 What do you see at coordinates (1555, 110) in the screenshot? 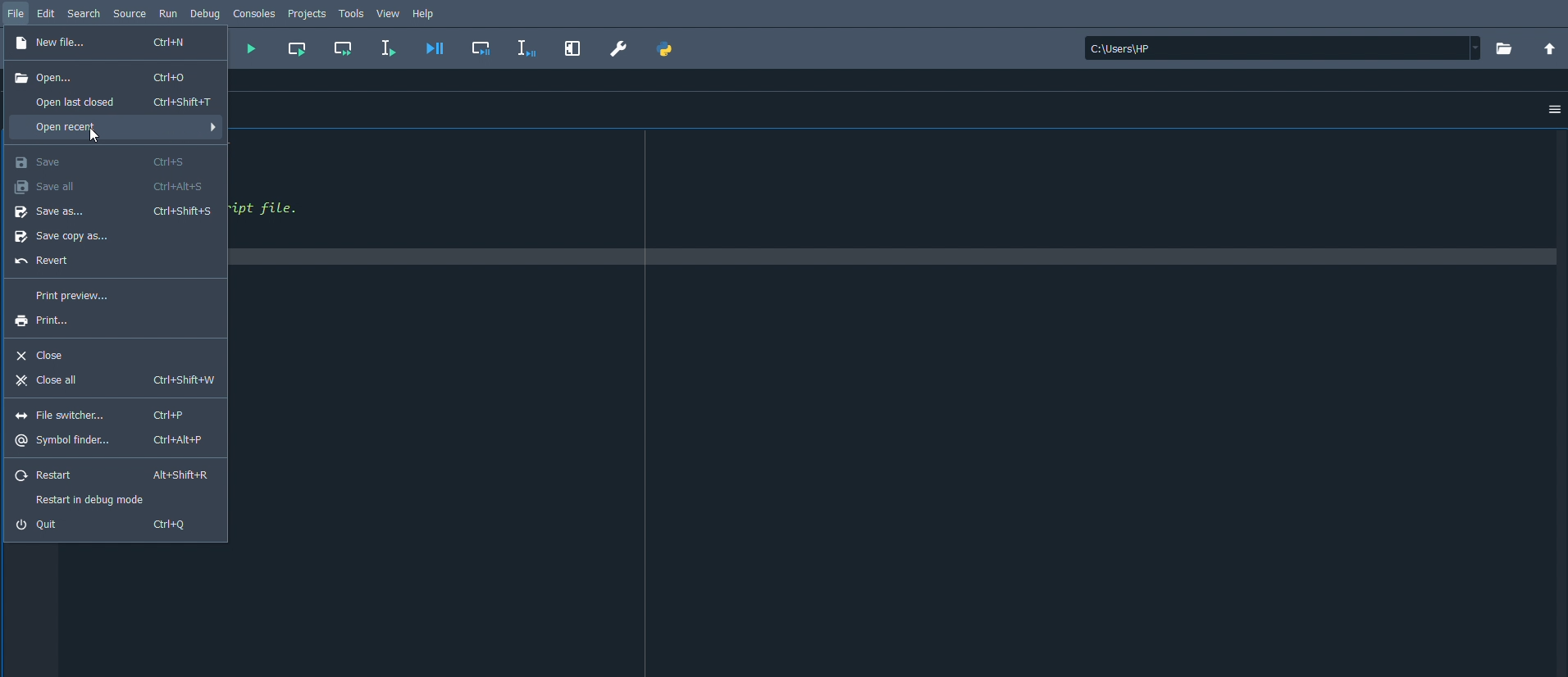
I see `Options` at bounding box center [1555, 110].